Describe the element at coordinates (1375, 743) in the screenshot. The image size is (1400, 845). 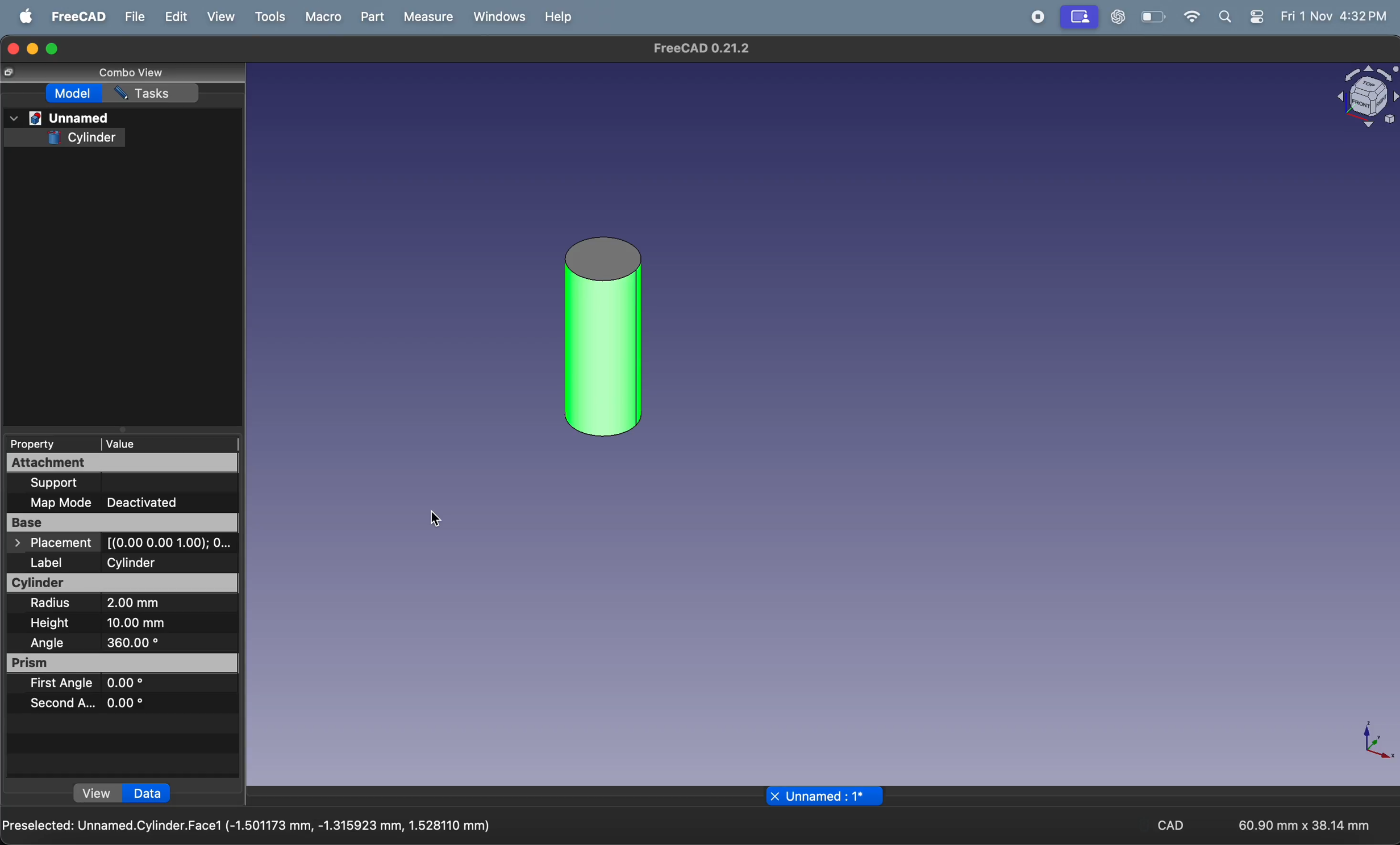
I see `axis` at that location.